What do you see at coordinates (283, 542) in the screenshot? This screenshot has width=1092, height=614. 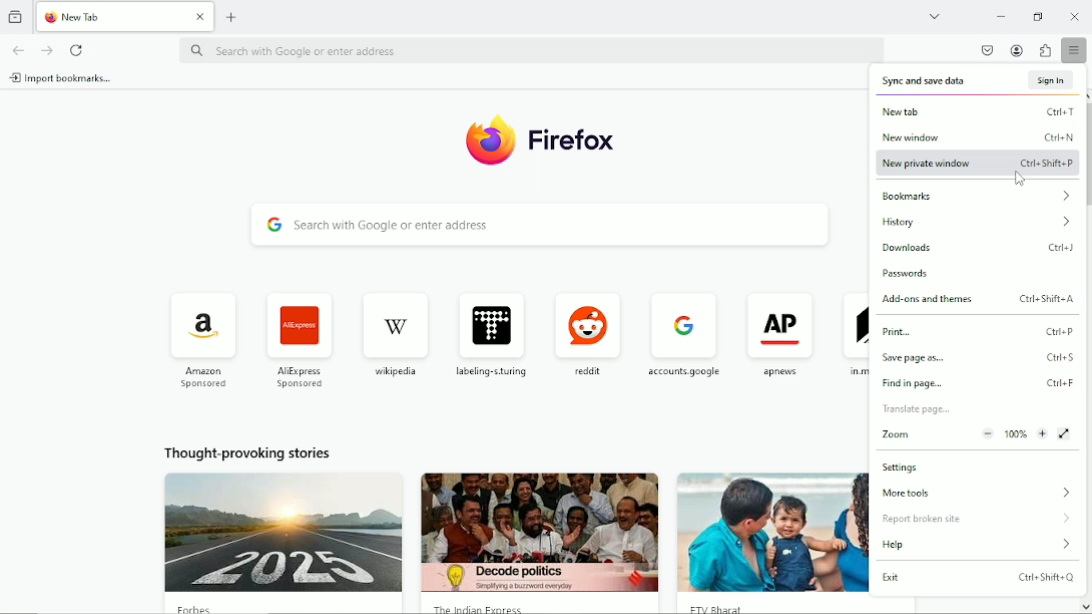 I see `Image` at bounding box center [283, 542].